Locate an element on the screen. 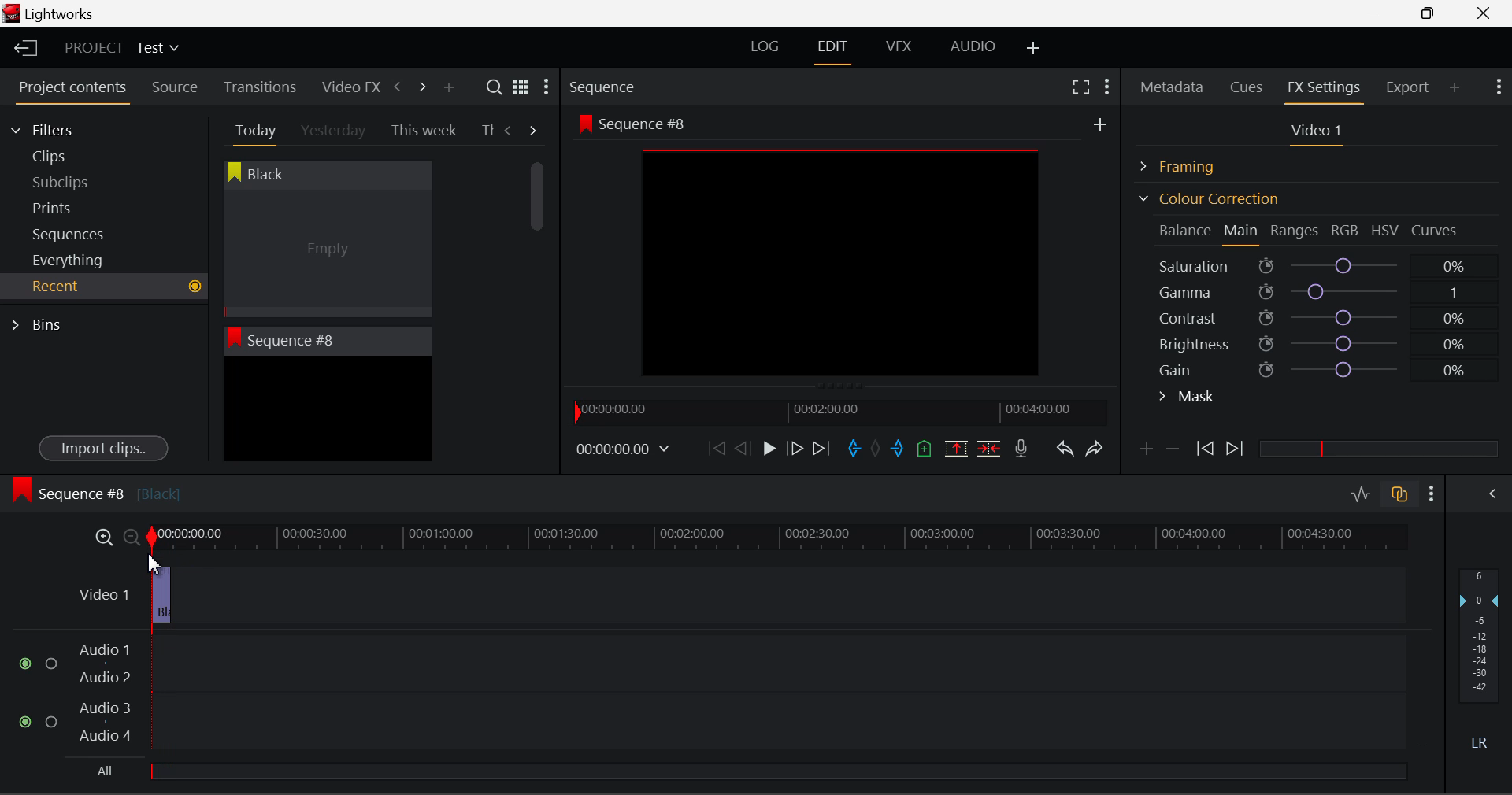 The height and width of the screenshot is (795, 1512). Scroll Bar is located at coordinates (538, 299).